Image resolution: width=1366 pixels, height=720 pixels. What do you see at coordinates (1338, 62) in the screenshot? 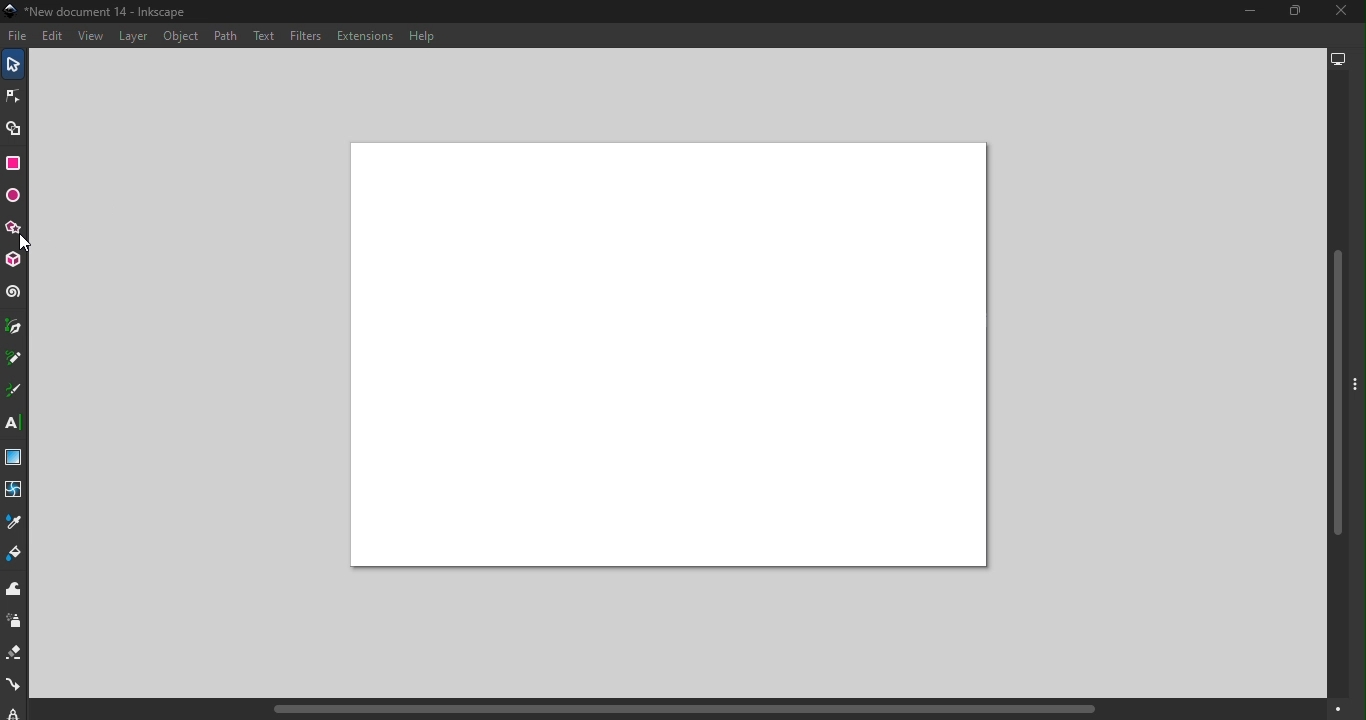
I see `Display options` at bounding box center [1338, 62].